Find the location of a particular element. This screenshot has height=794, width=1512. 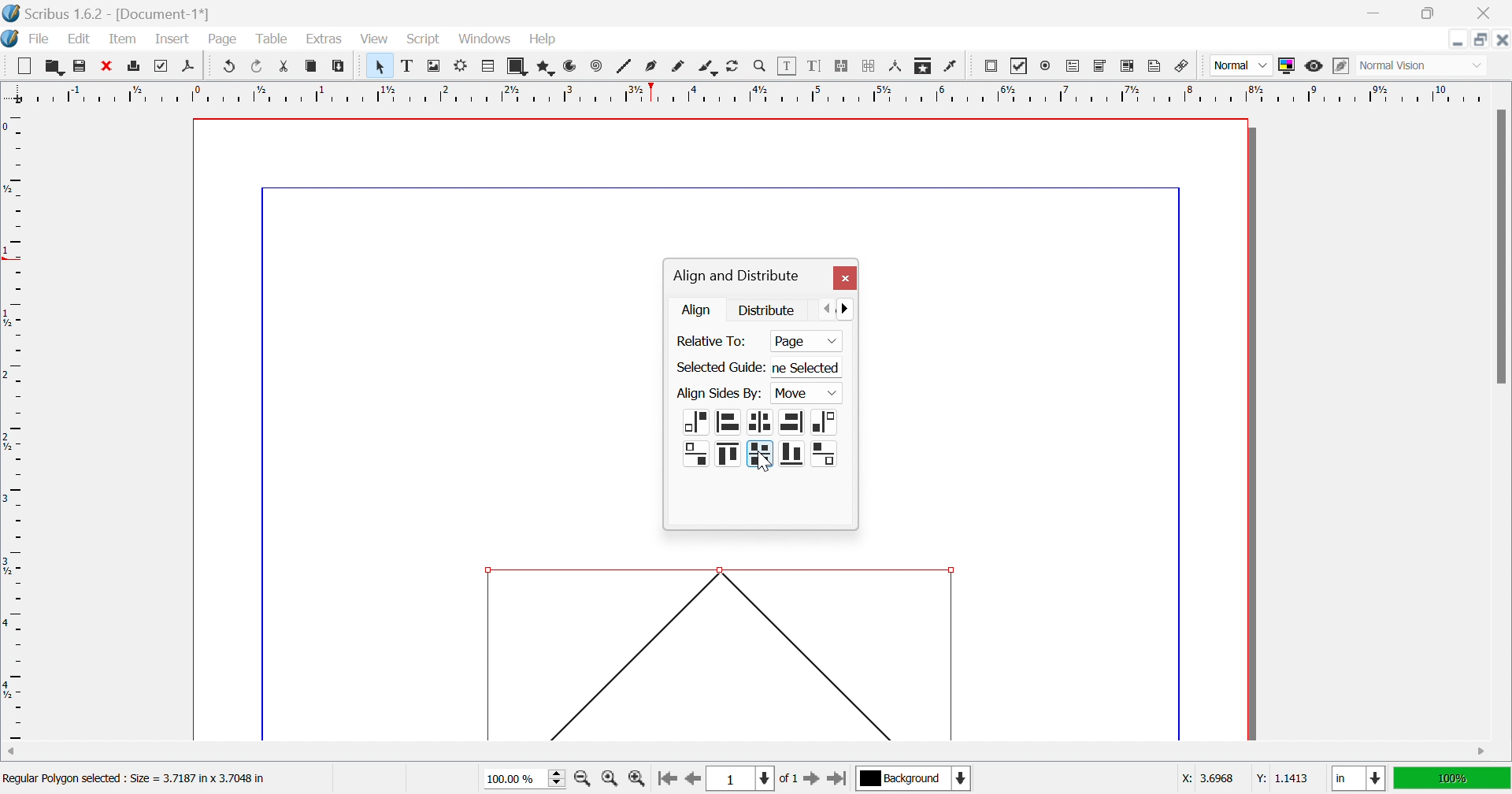

y: 1.1413 is located at coordinates (1280, 778).